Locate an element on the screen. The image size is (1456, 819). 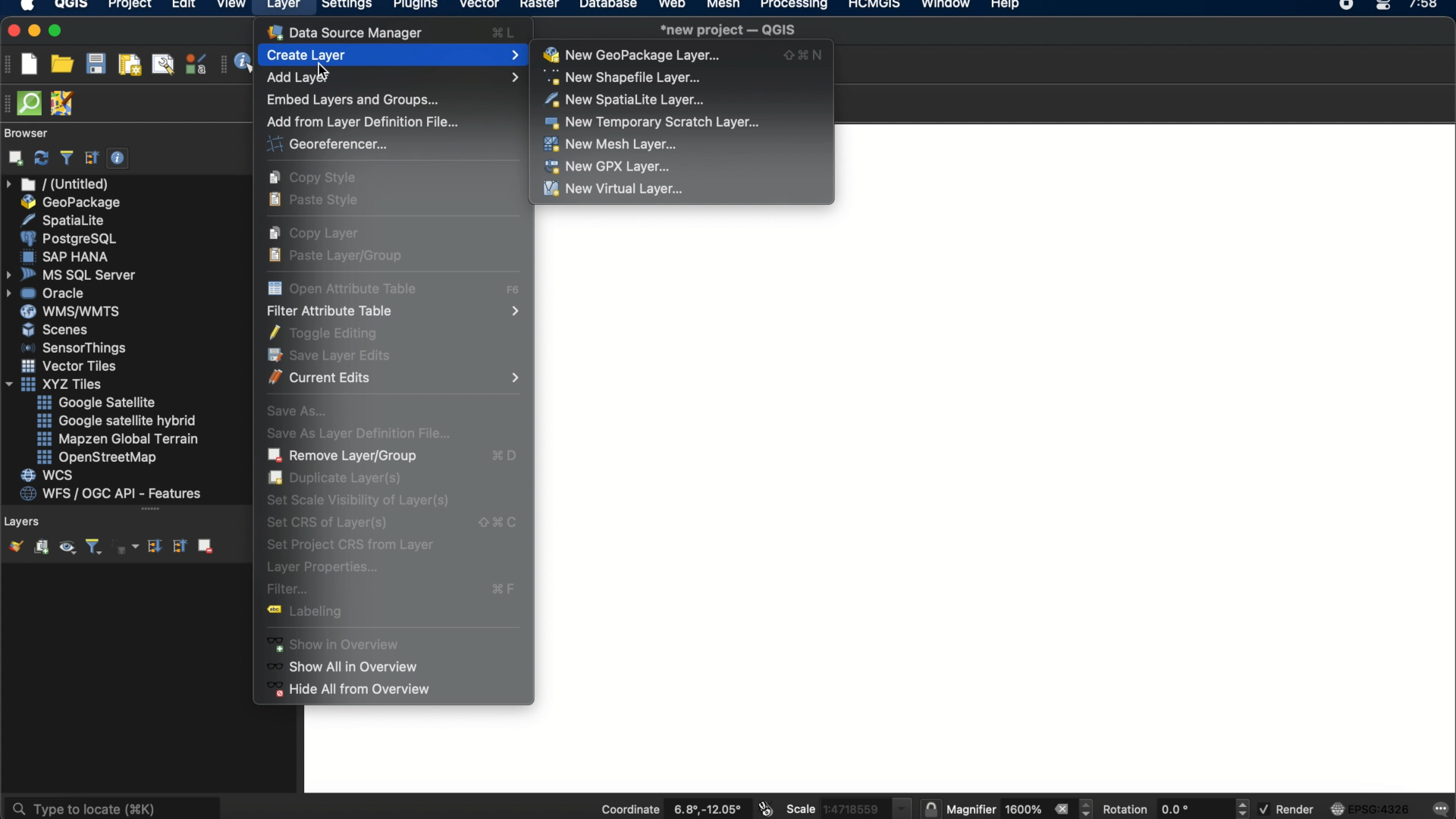
labelling is located at coordinates (302, 610).